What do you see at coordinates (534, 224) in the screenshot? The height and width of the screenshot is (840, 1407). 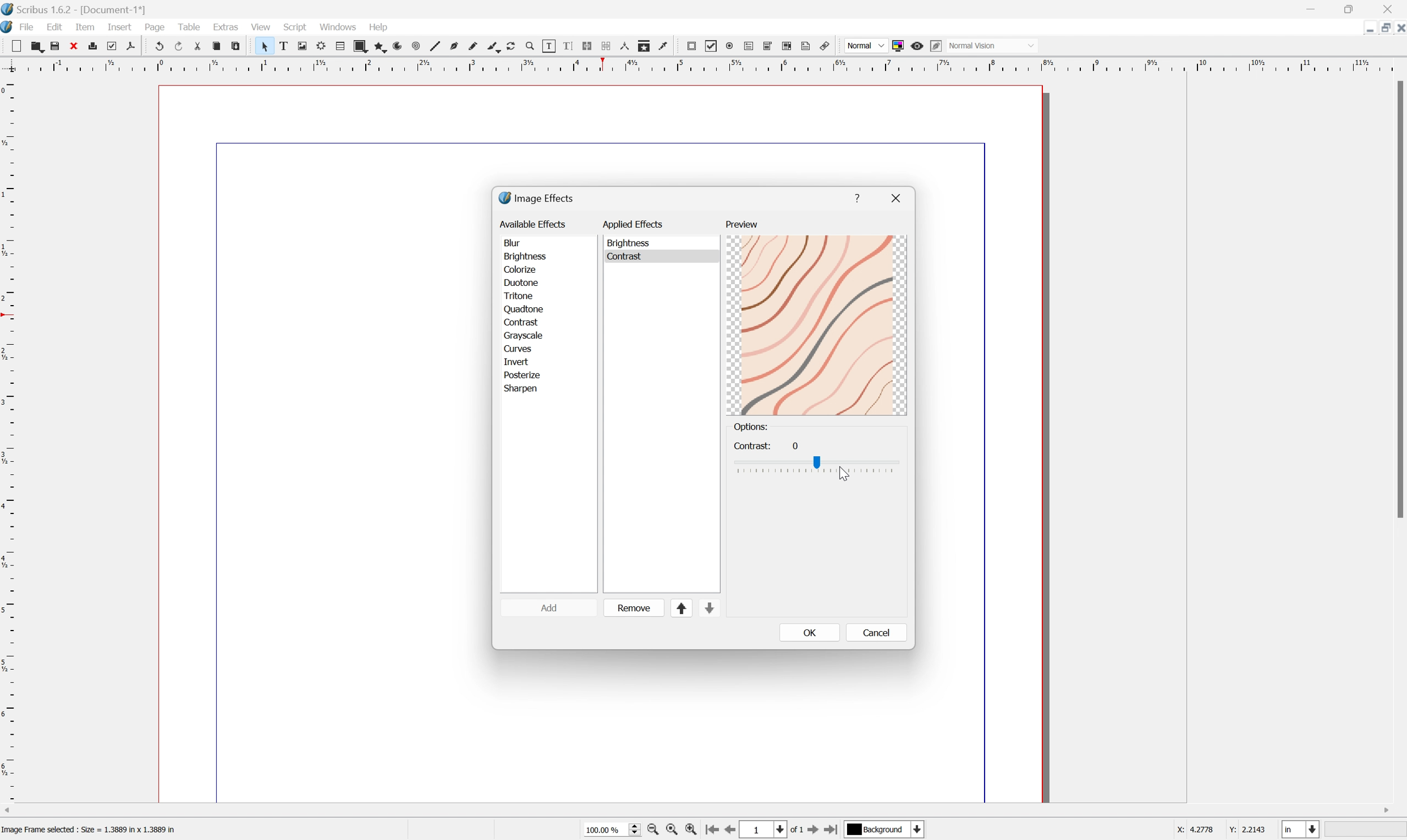 I see `available effects` at bounding box center [534, 224].